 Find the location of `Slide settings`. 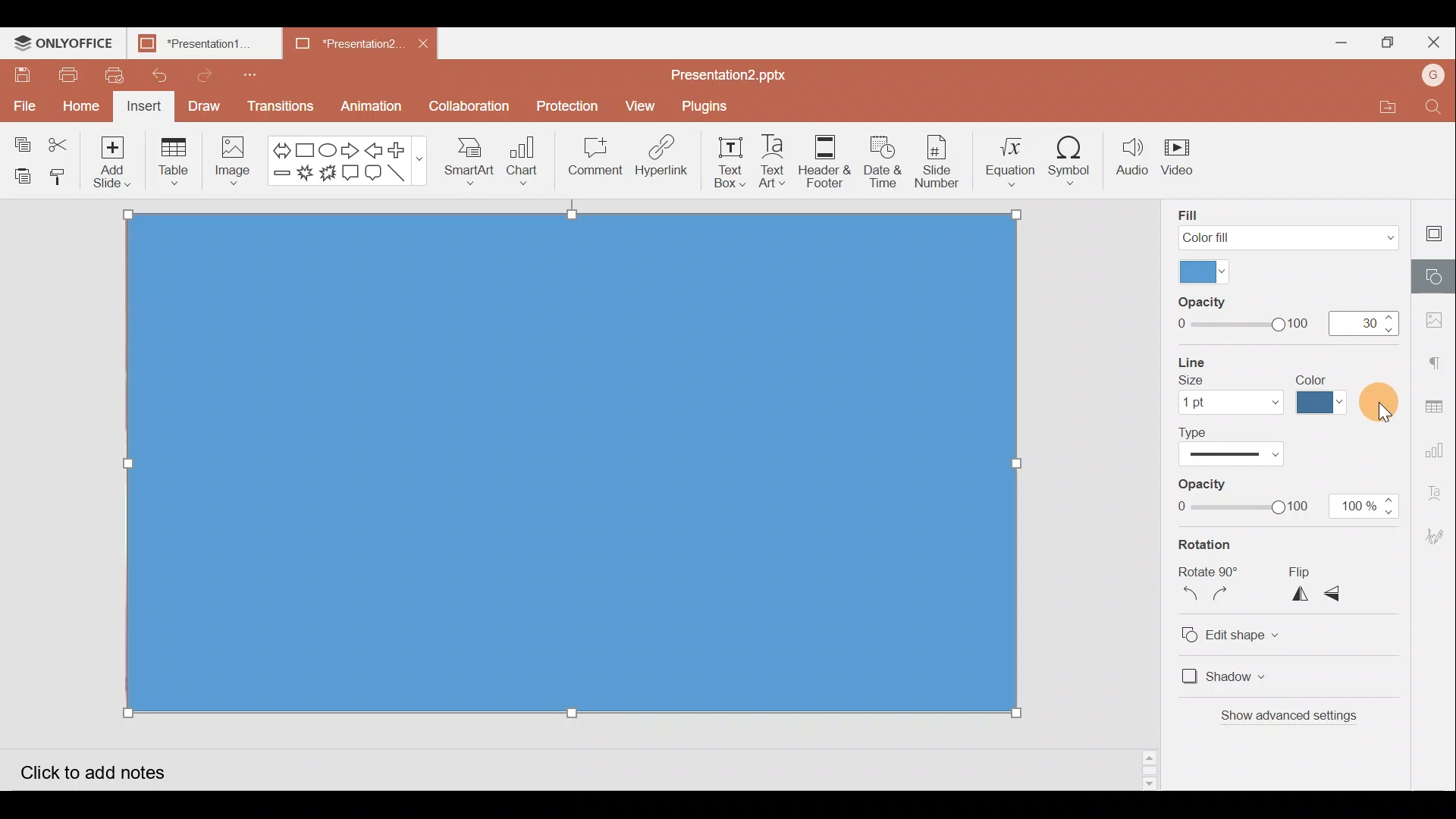

Slide settings is located at coordinates (1437, 229).